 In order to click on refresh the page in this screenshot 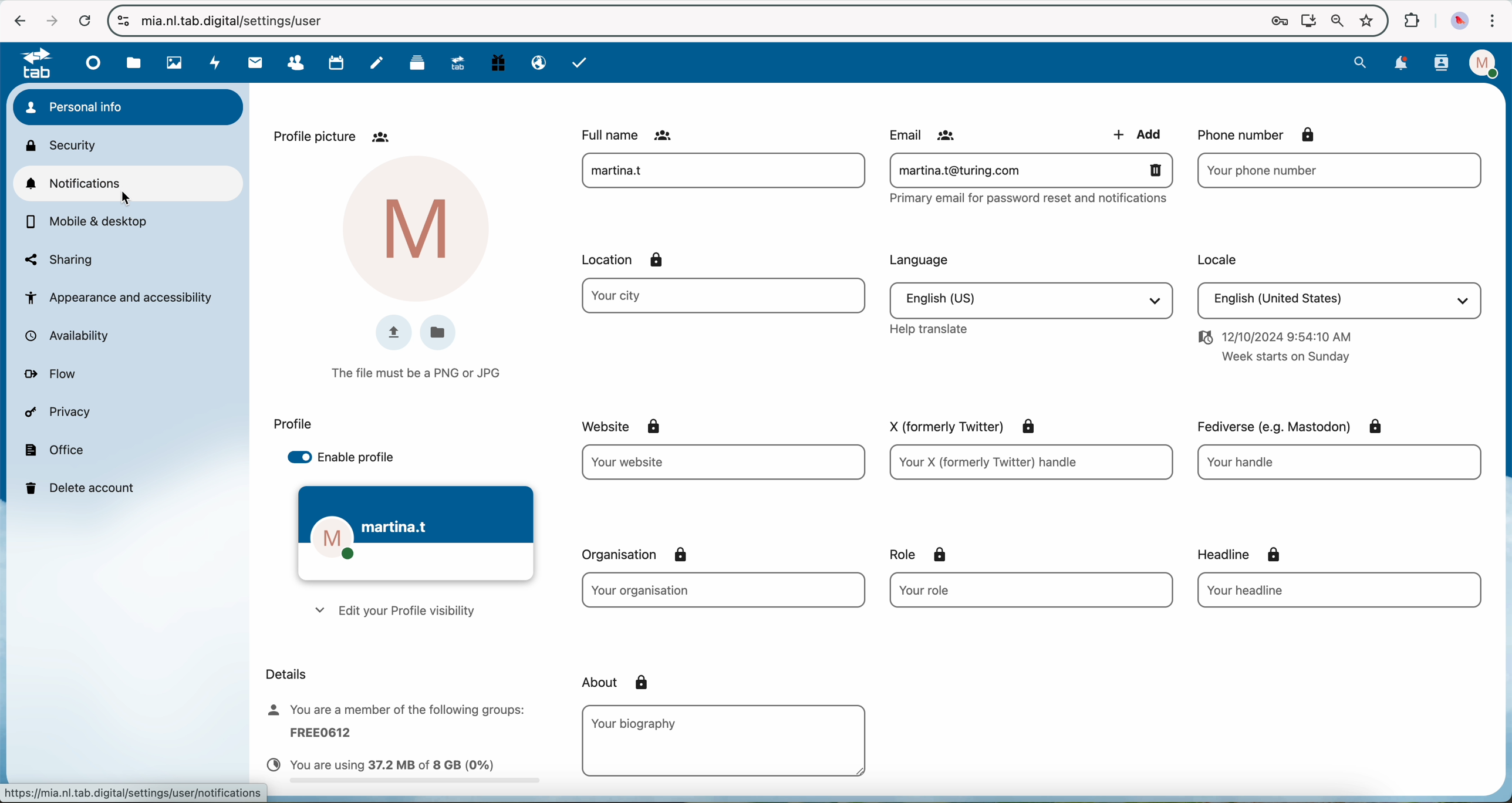, I will do `click(84, 20)`.